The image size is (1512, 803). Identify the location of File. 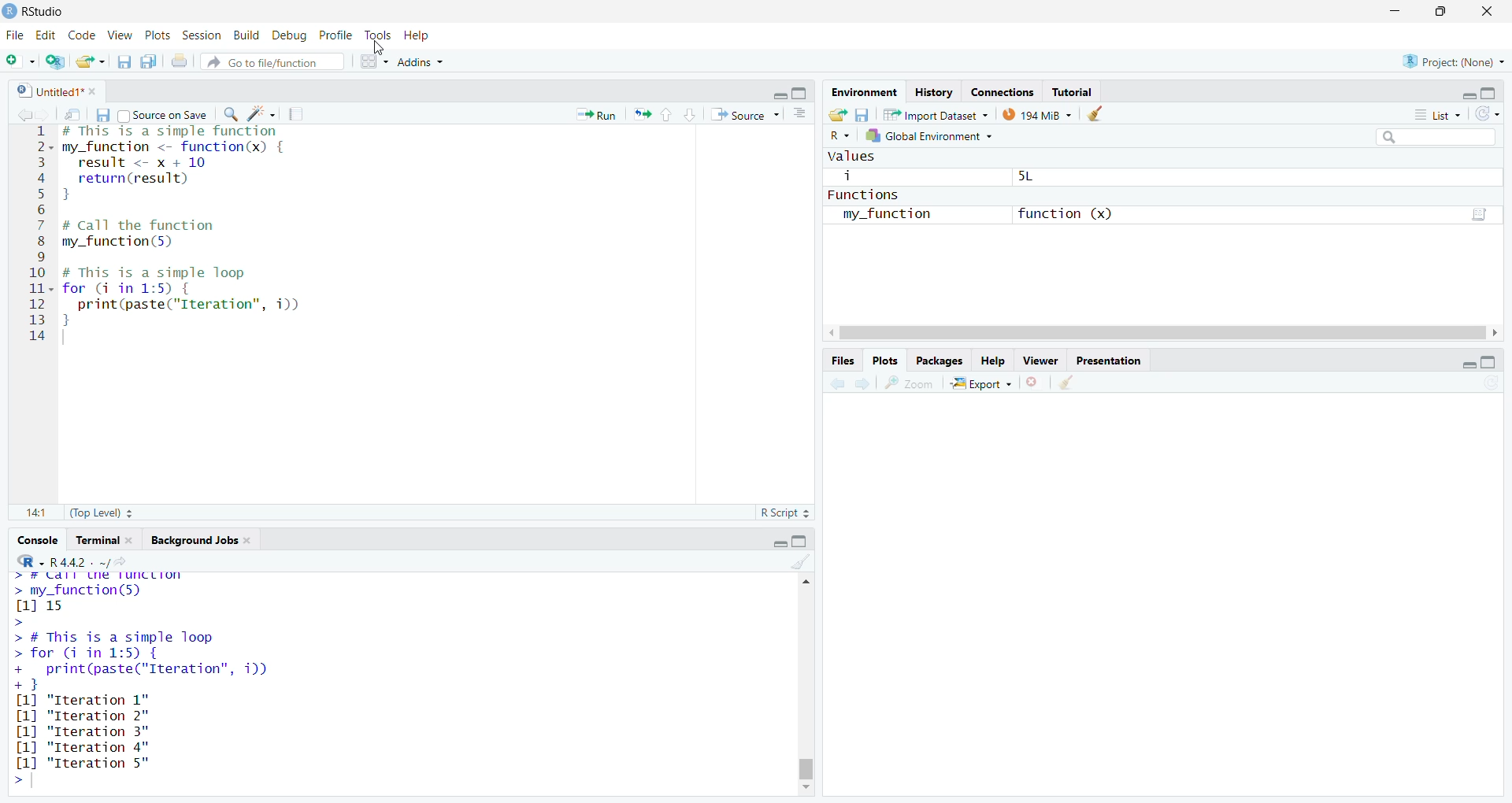
(15, 35).